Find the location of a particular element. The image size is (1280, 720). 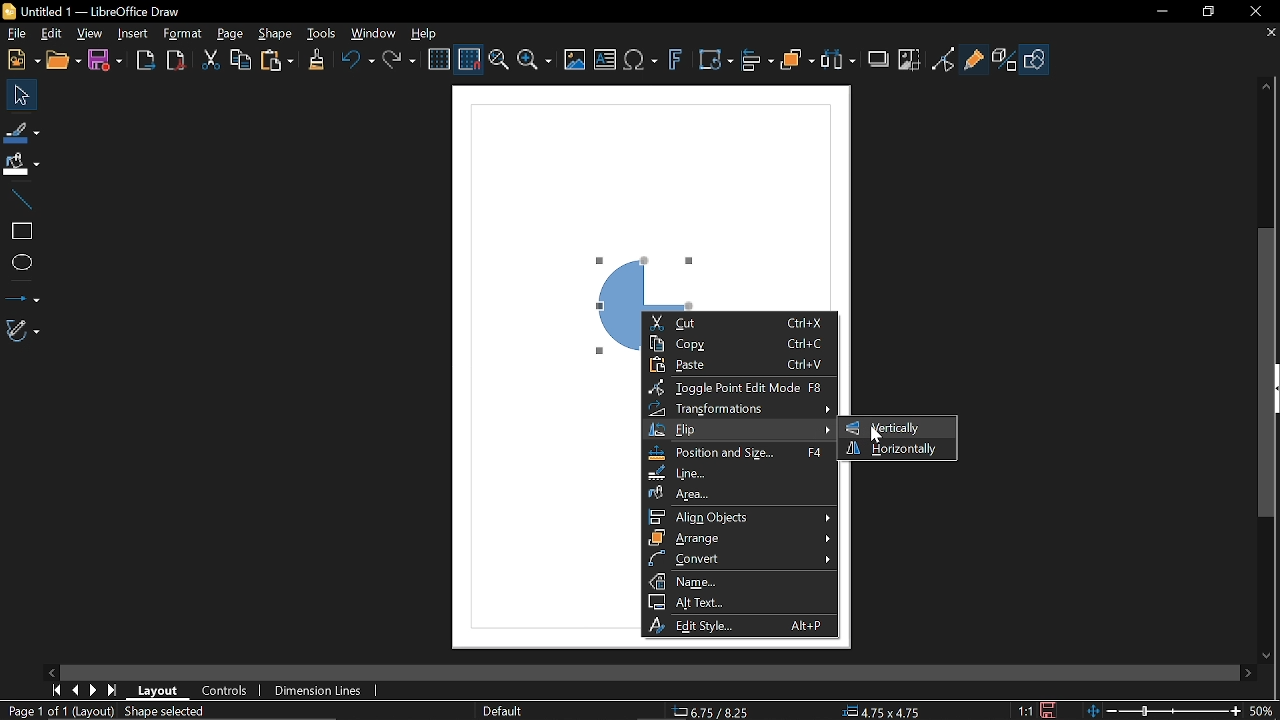

Shape is located at coordinates (278, 34).